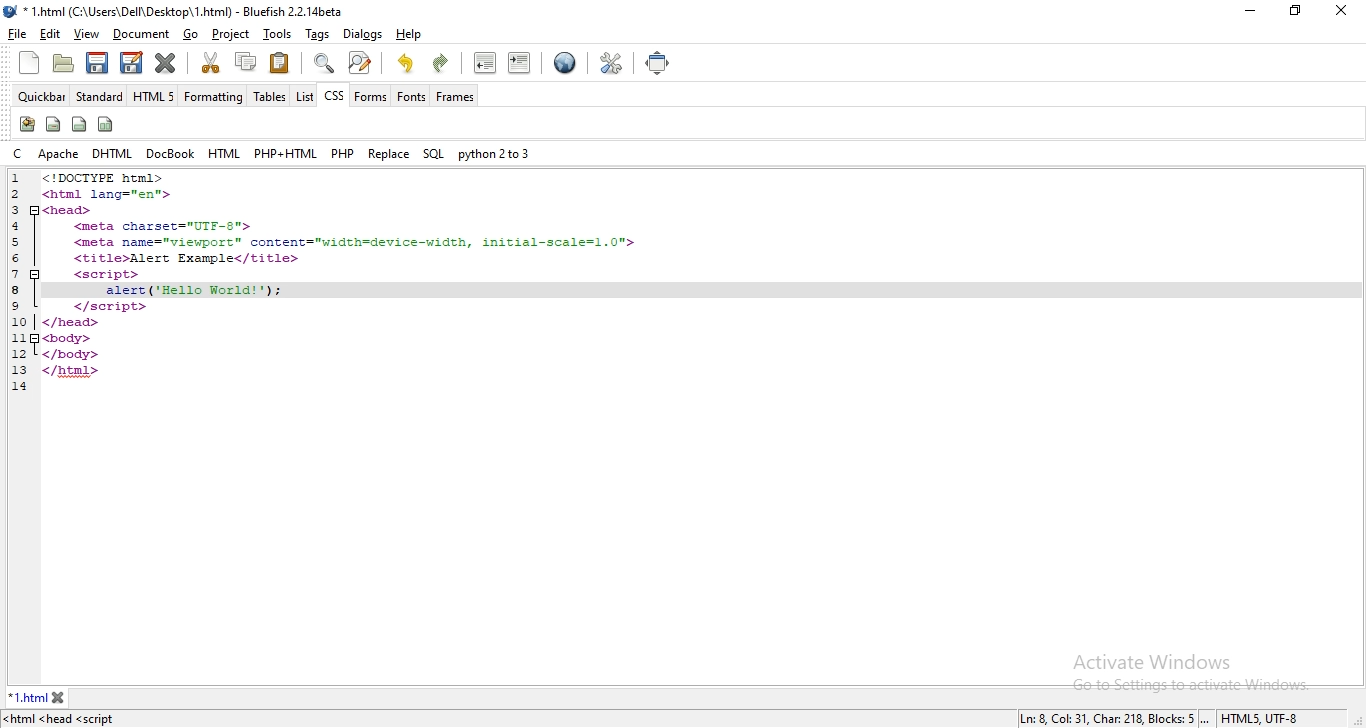  What do you see at coordinates (29, 62) in the screenshot?
I see `new file` at bounding box center [29, 62].